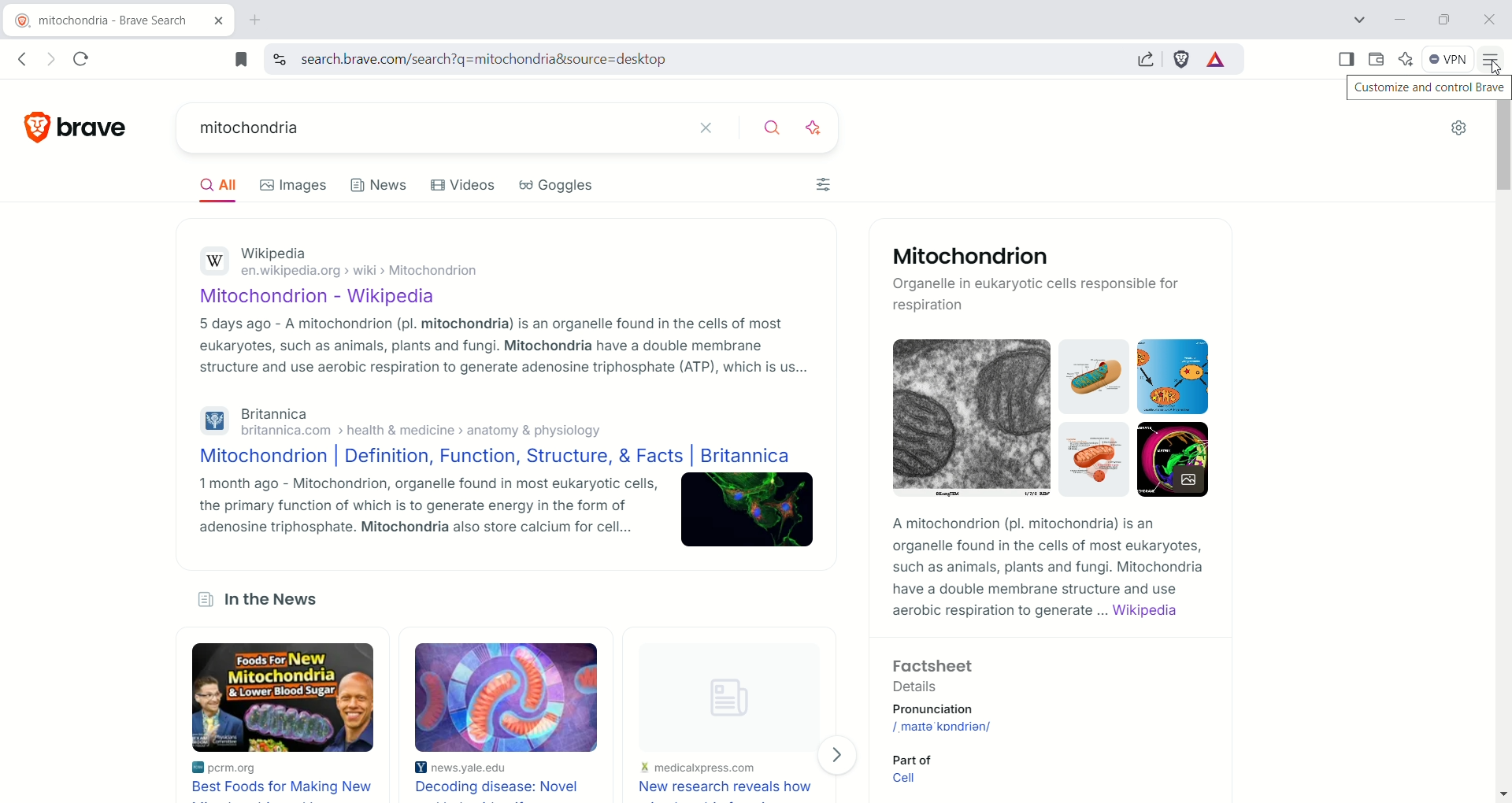  I want to click on reload, so click(80, 59).